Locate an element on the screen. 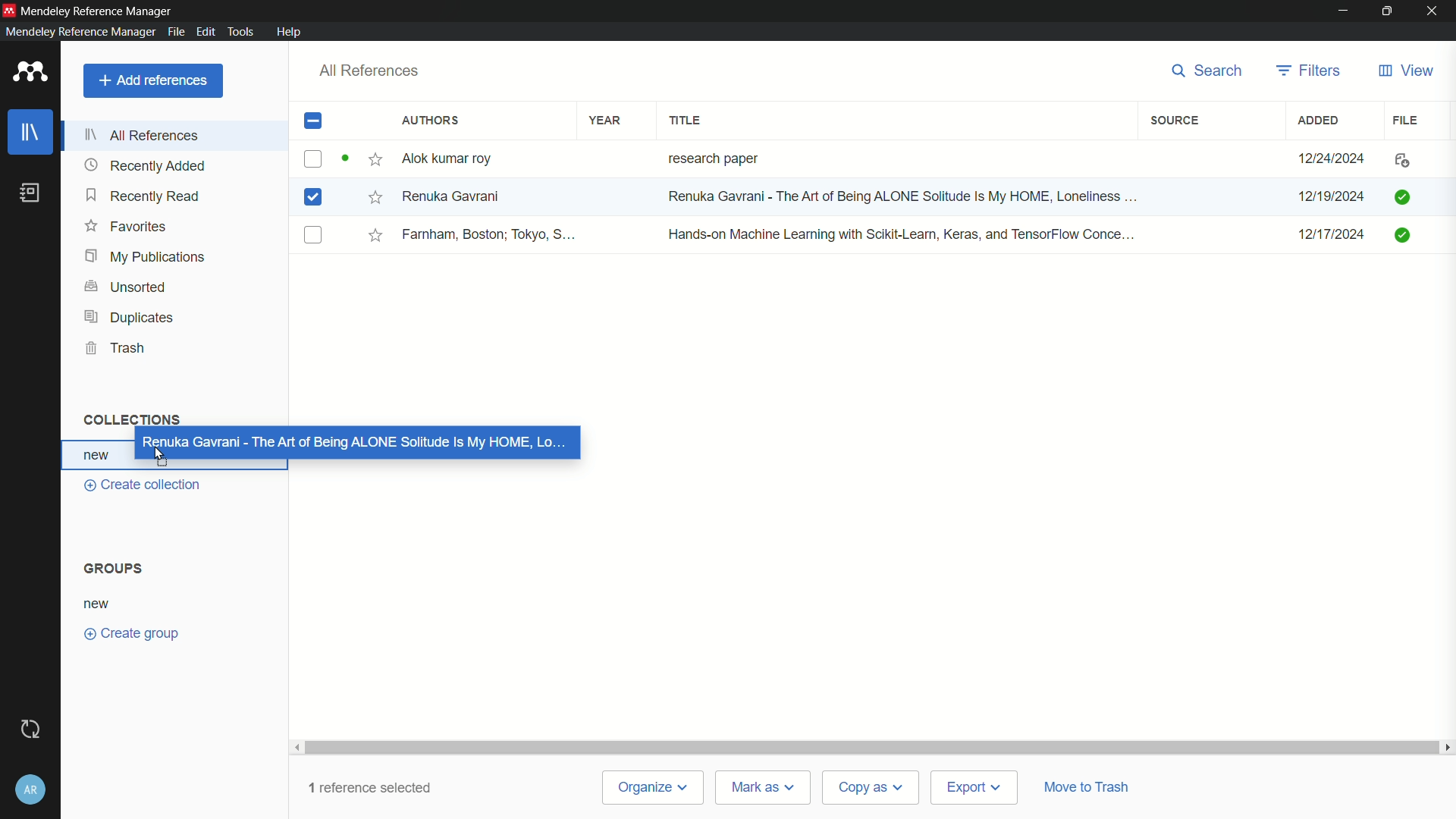 The image size is (1456, 819). Starred is located at coordinates (372, 196).